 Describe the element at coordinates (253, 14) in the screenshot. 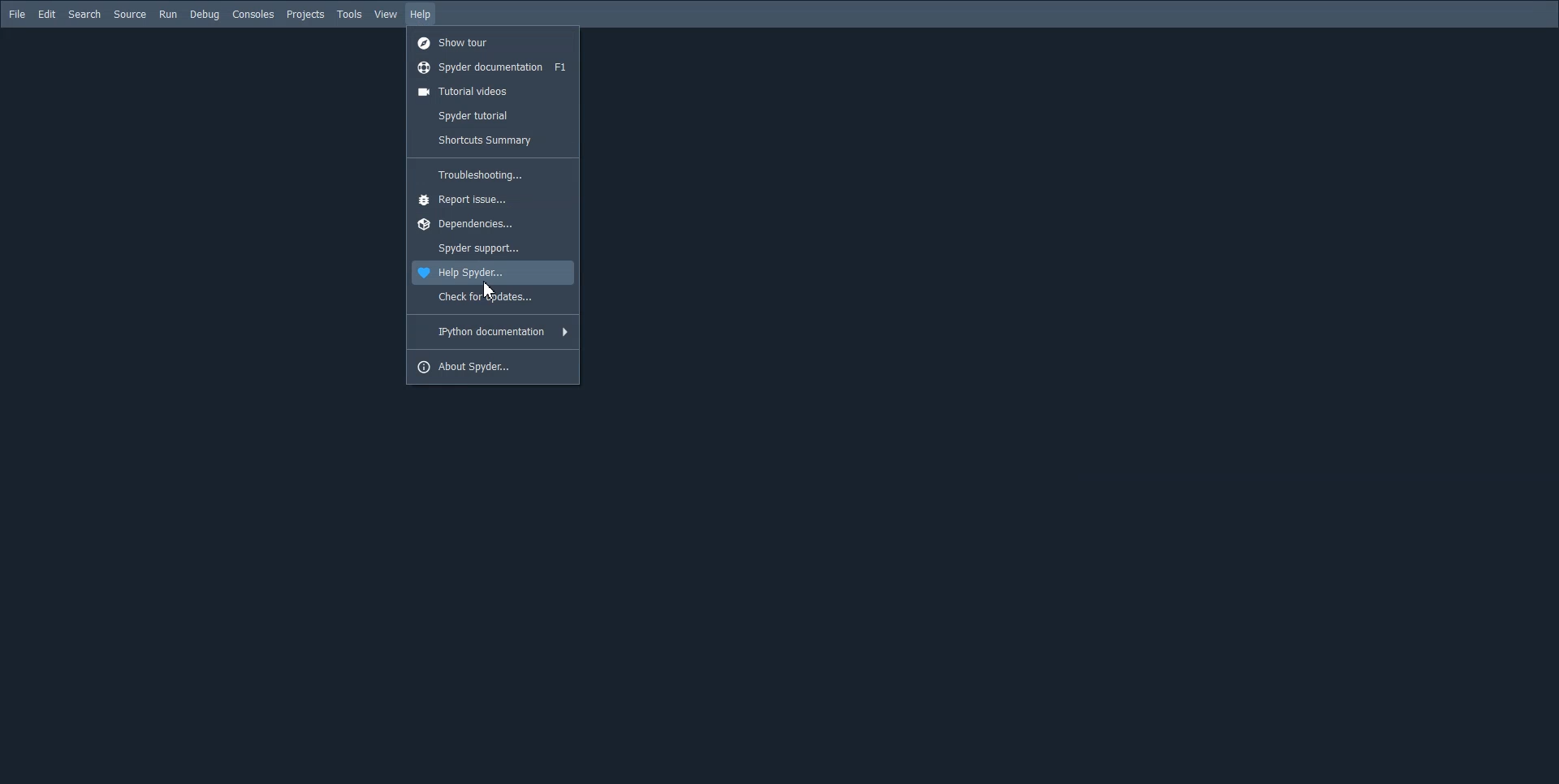

I see `Consoles` at that location.